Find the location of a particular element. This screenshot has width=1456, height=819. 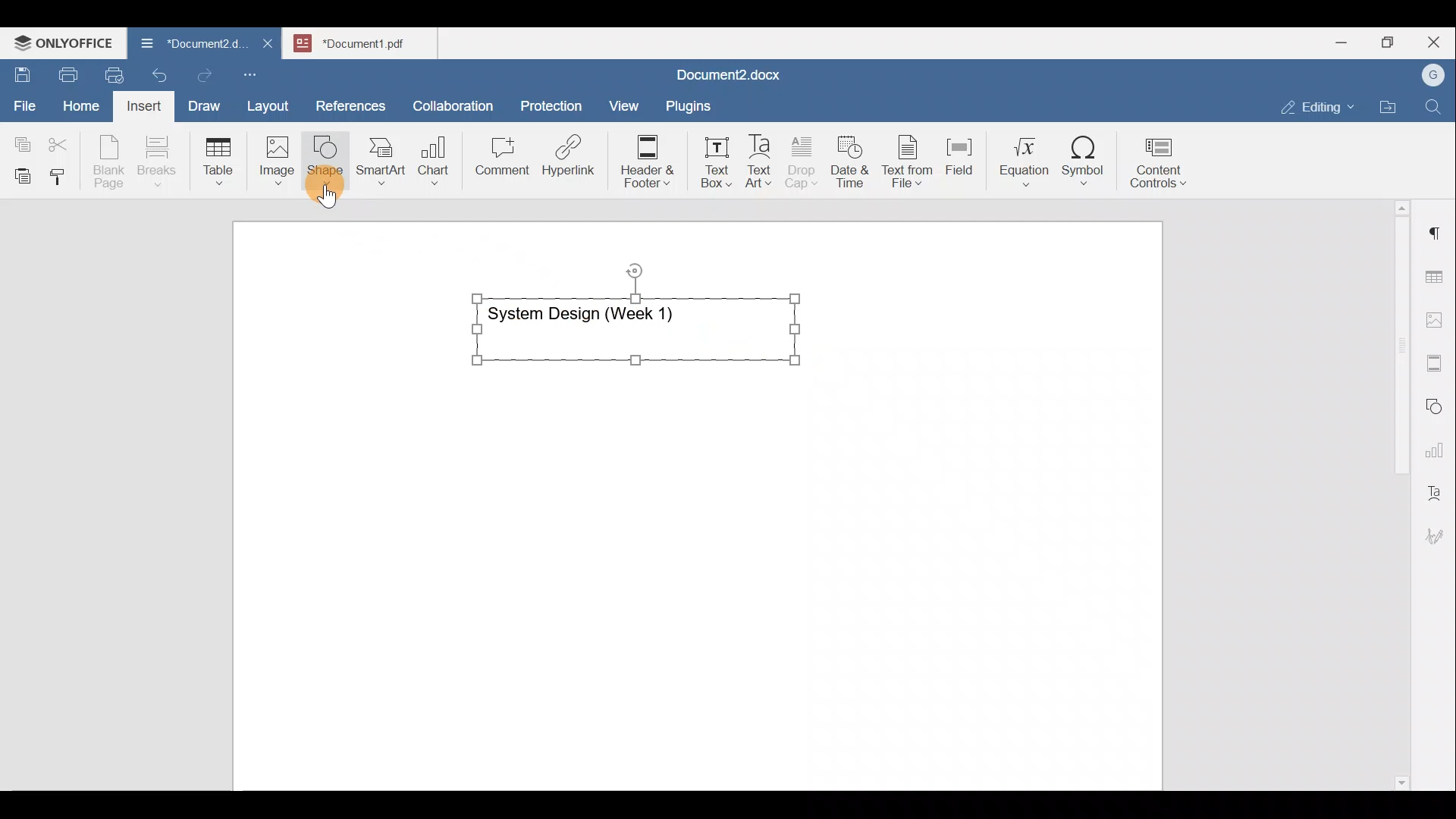

Blank page is located at coordinates (111, 162).